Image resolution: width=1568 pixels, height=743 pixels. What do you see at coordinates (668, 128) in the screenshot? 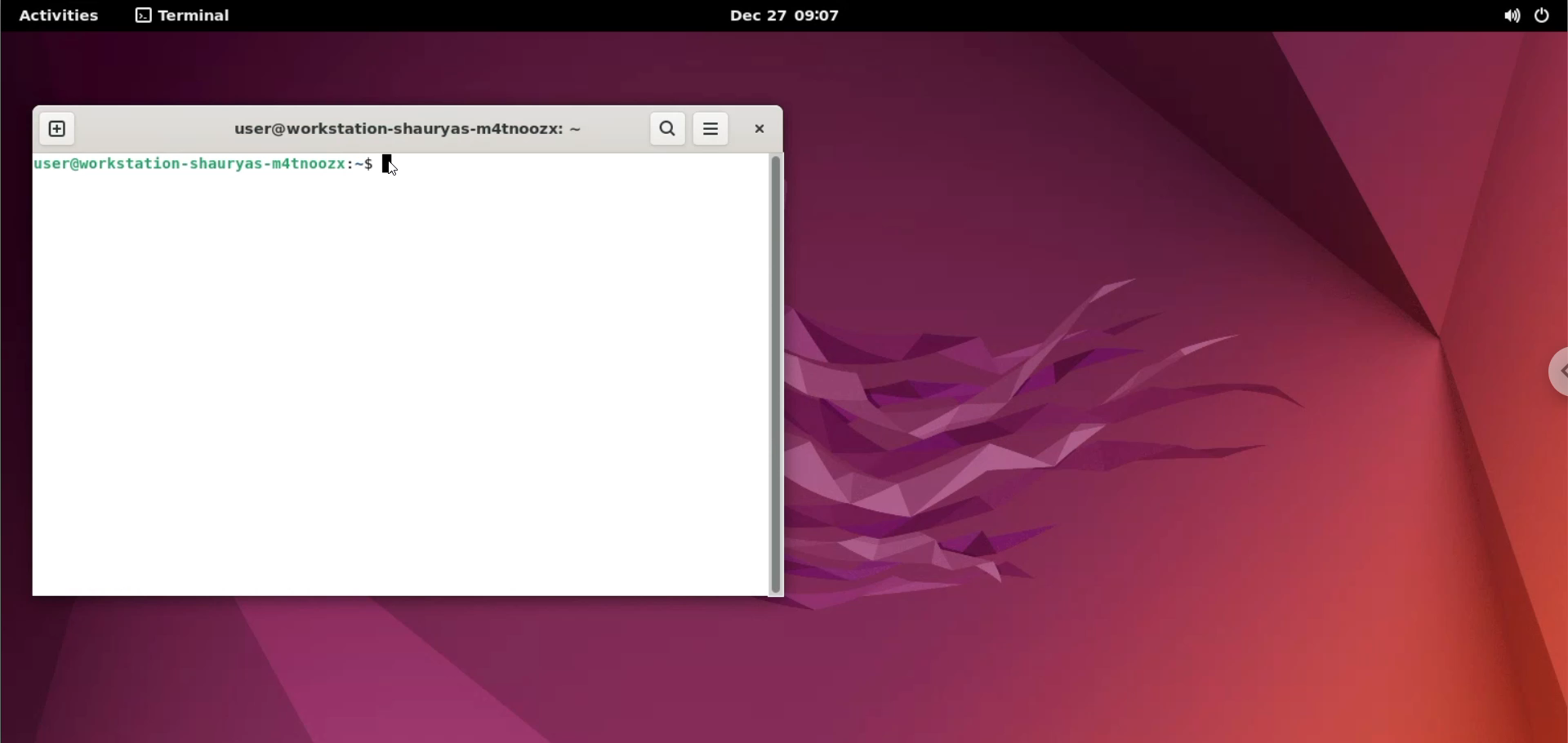
I see `Search` at bounding box center [668, 128].